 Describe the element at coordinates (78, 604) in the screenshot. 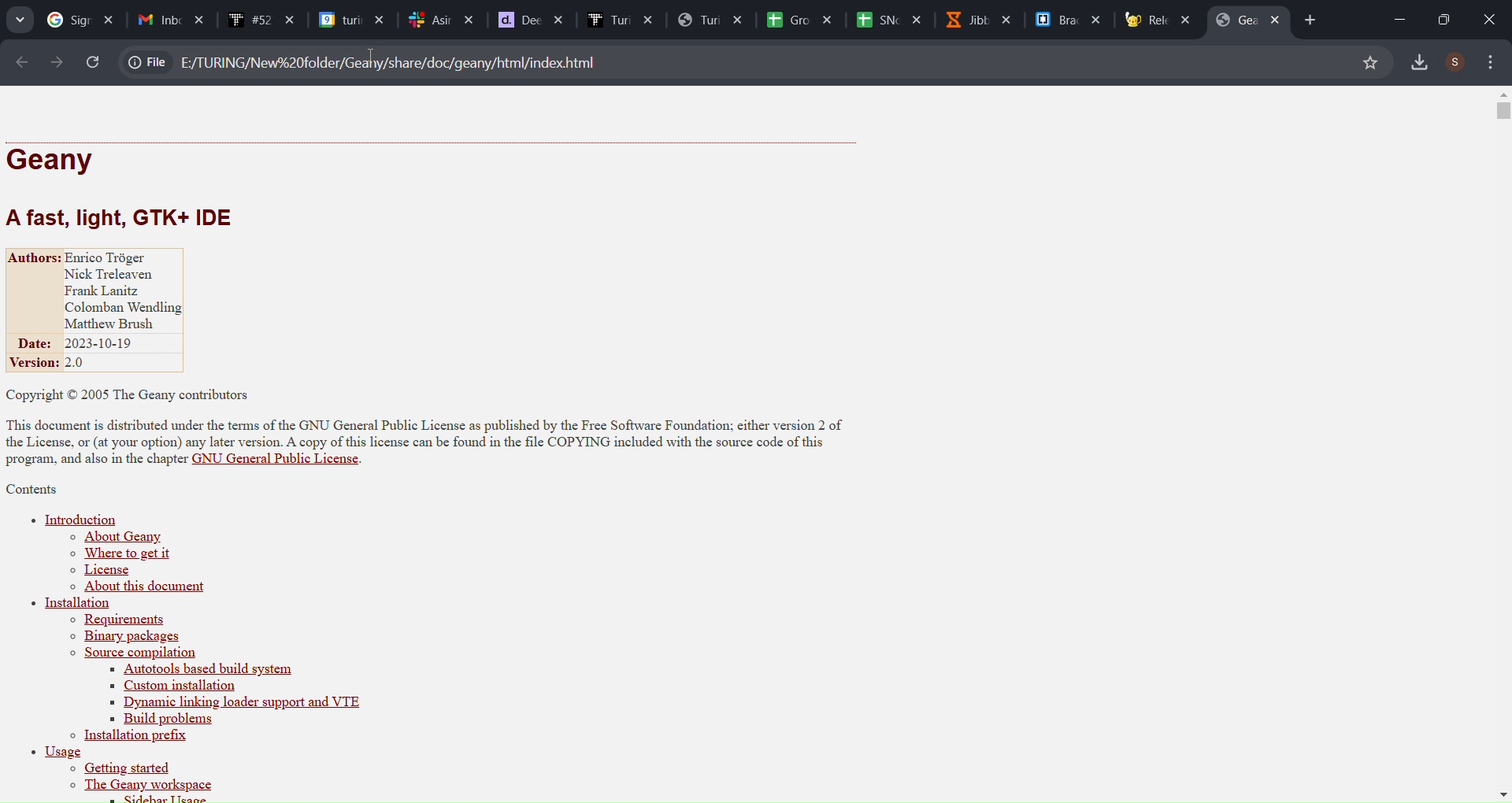

I see `installation` at that location.